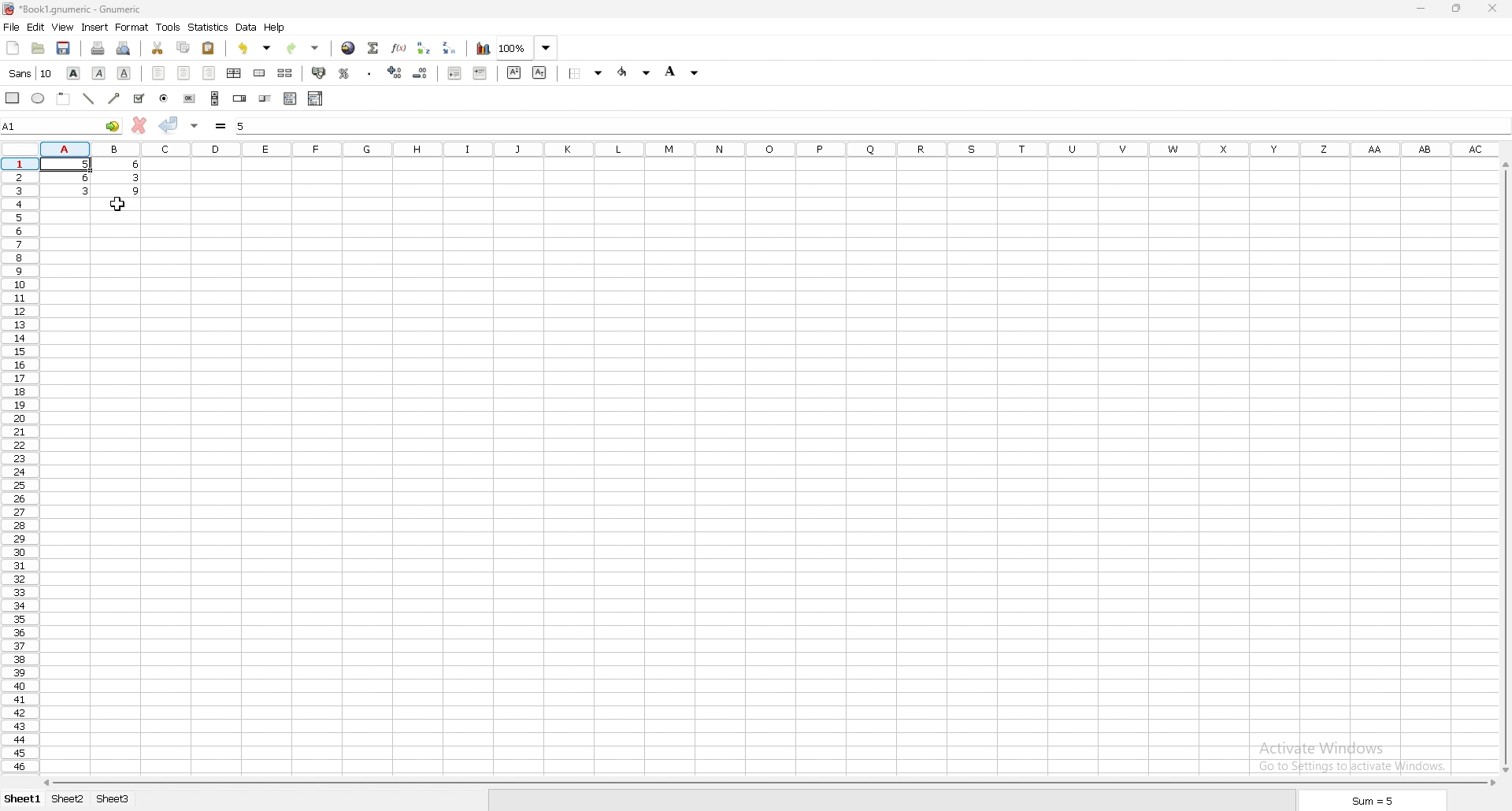  What do you see at coordinates (97, 49) in the screenshot?
I see `print` at bounding box center [97, 49].